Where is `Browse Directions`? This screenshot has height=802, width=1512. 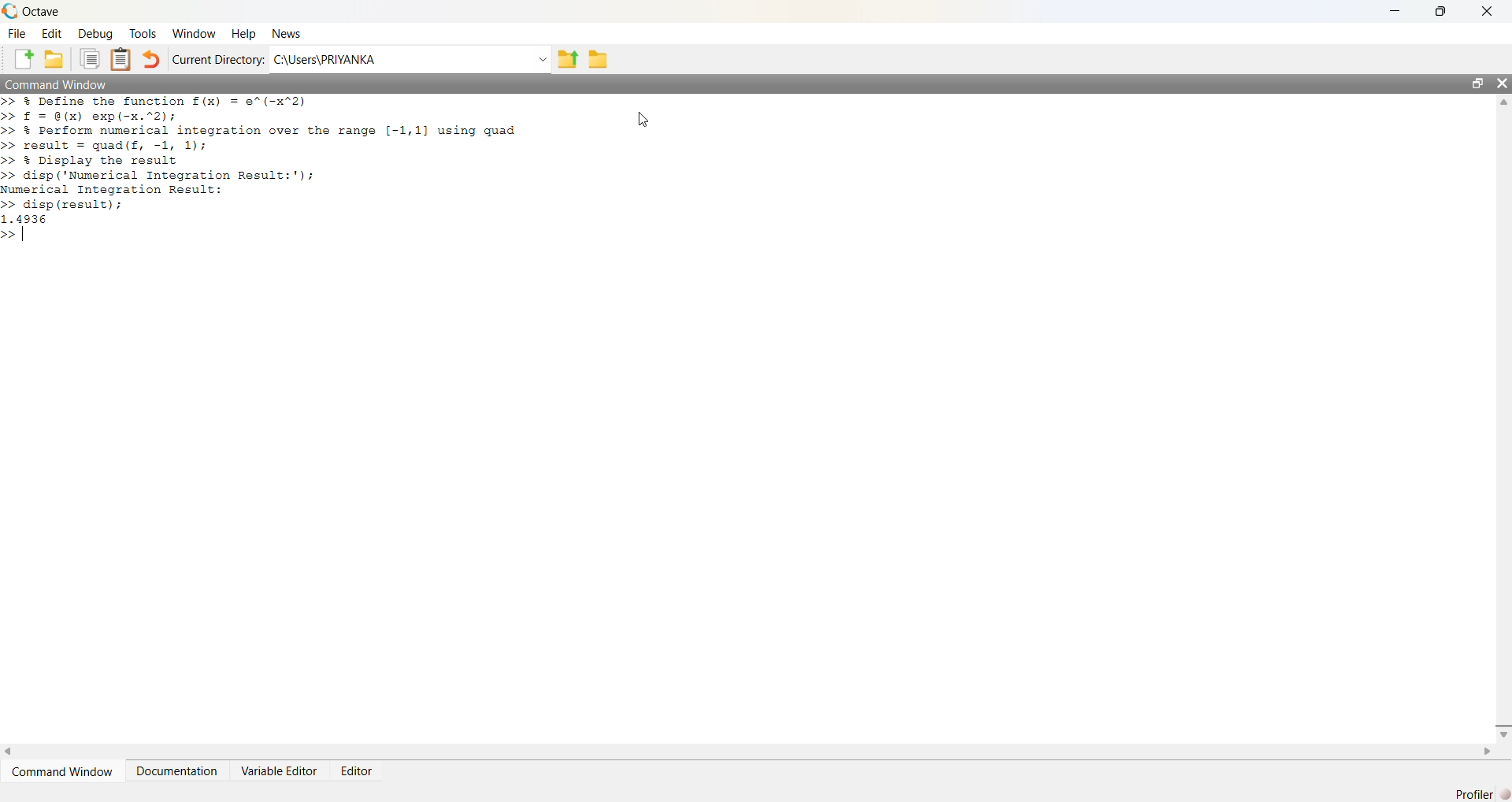 Browse Directions is located at coordinates (598, 58).